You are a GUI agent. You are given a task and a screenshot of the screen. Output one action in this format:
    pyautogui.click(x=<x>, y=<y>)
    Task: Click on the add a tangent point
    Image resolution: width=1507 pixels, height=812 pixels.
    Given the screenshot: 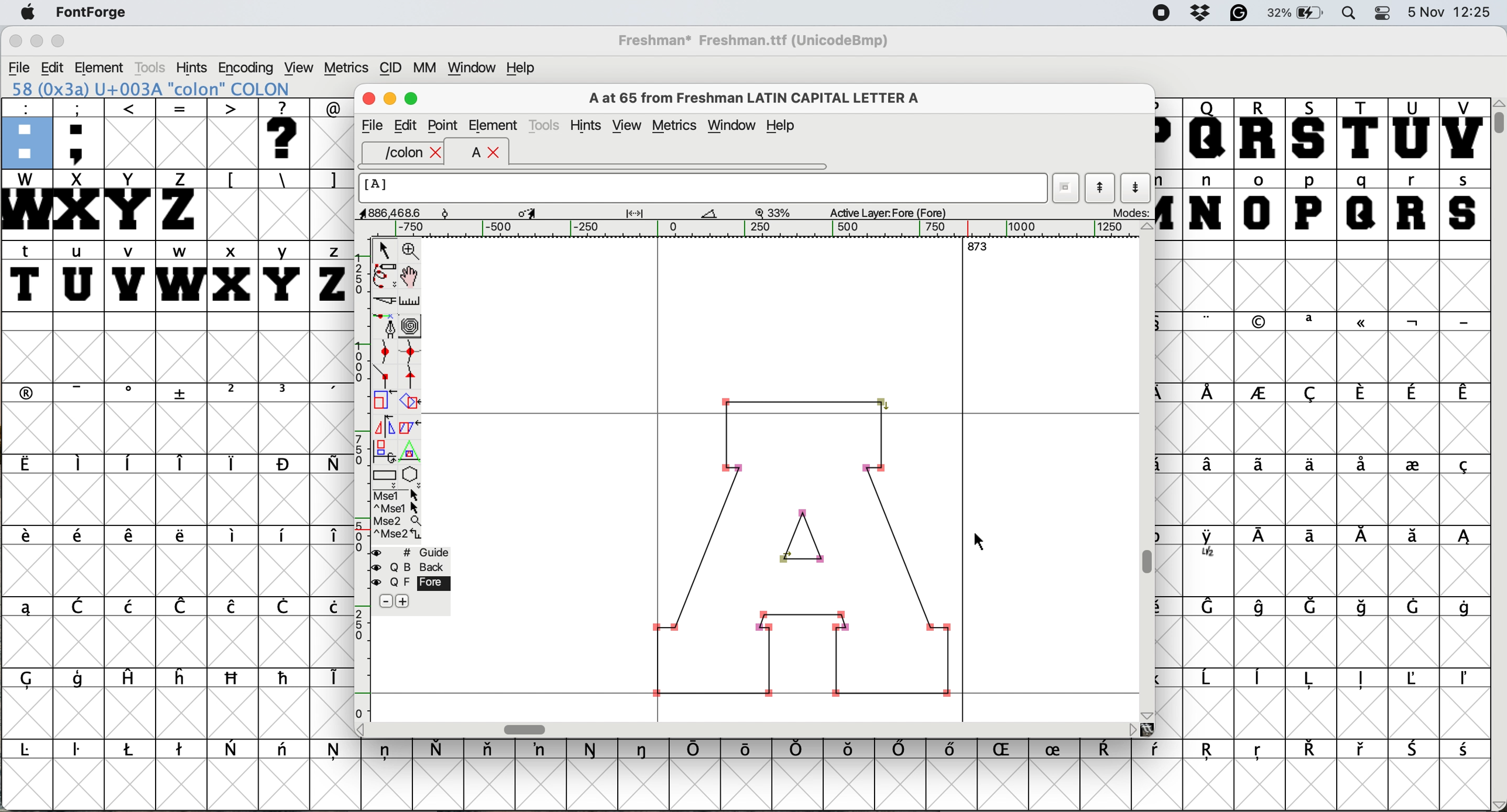 What is the action you would take?
    pyautogui.click(x=414, y=376)
    